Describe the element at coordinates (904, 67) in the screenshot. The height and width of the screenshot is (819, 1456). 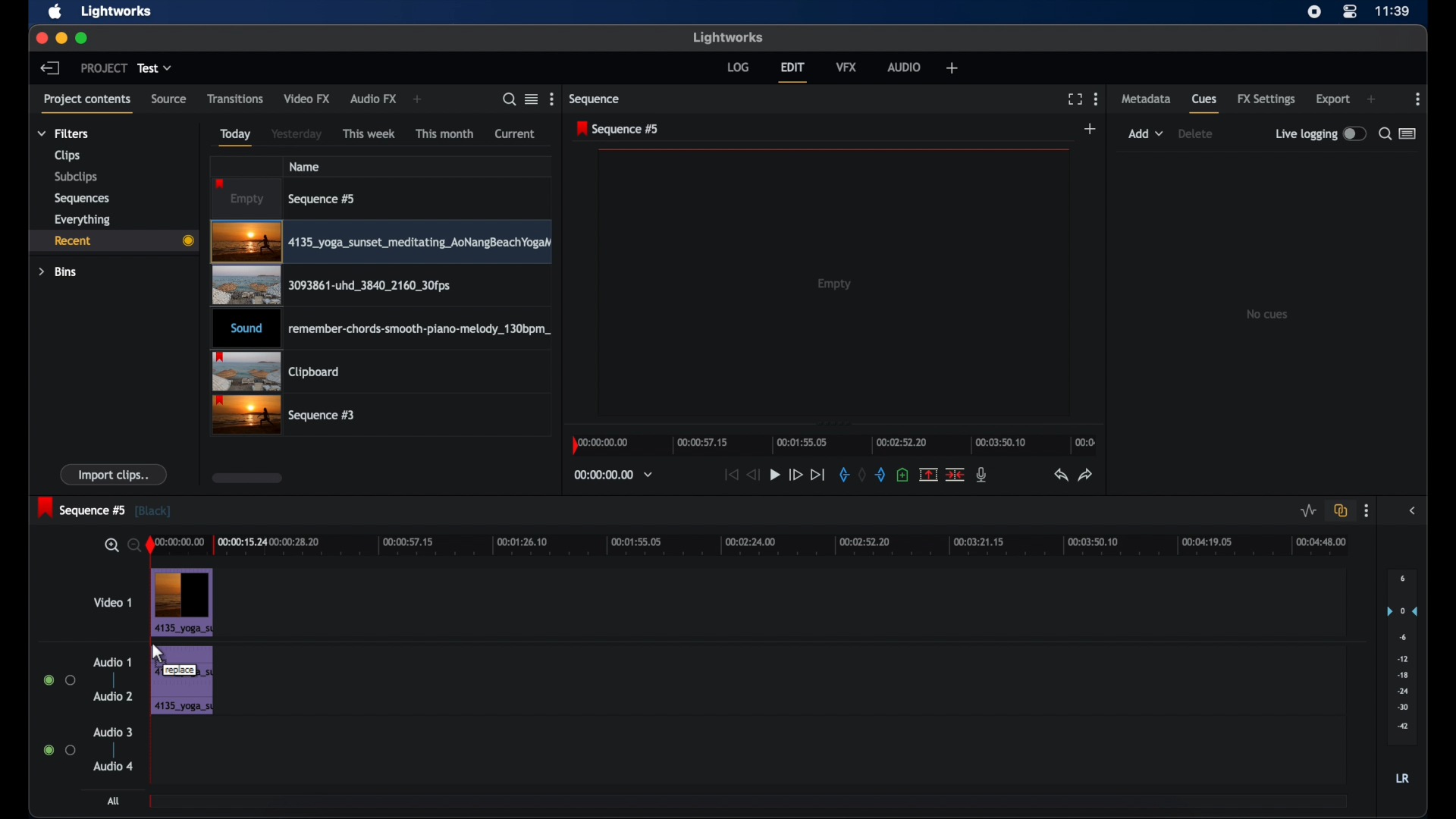
I see `audio` at that location.